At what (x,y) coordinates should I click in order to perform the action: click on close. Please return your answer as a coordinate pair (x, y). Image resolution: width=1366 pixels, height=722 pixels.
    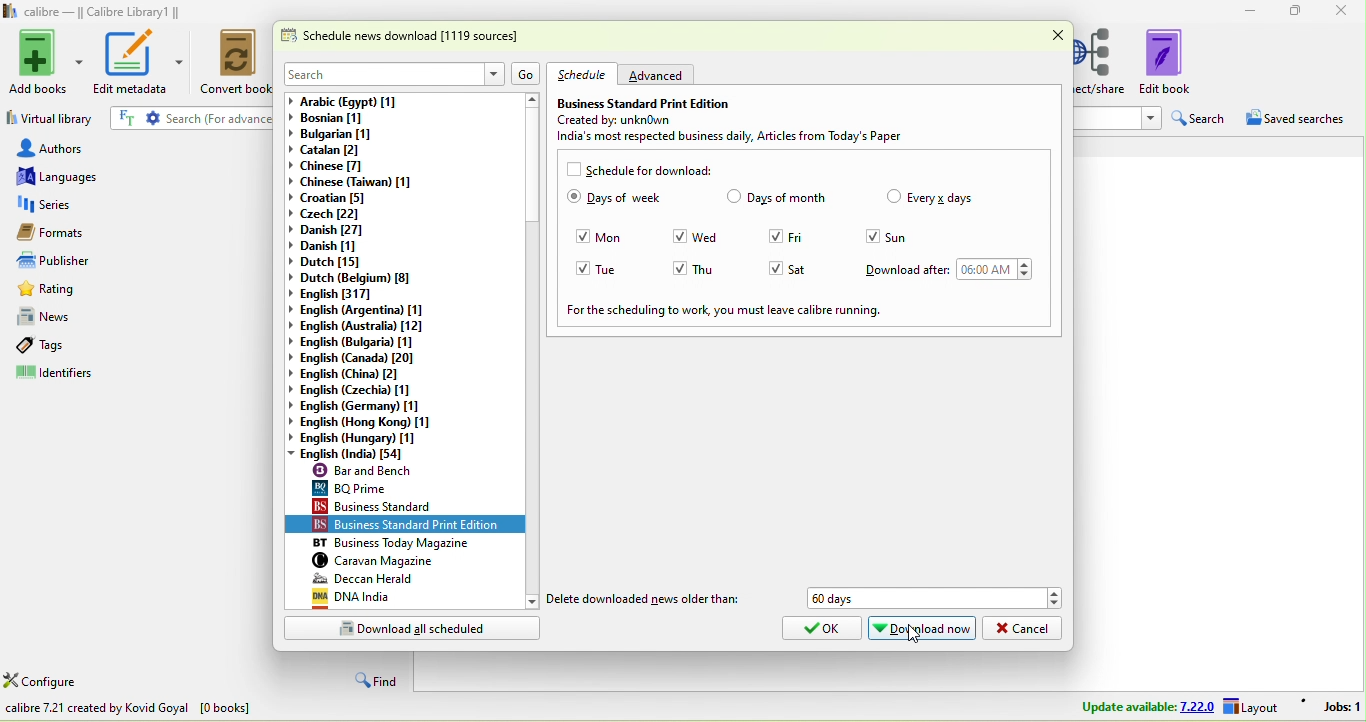
    Looking at the image, I should click on (1057, 36).